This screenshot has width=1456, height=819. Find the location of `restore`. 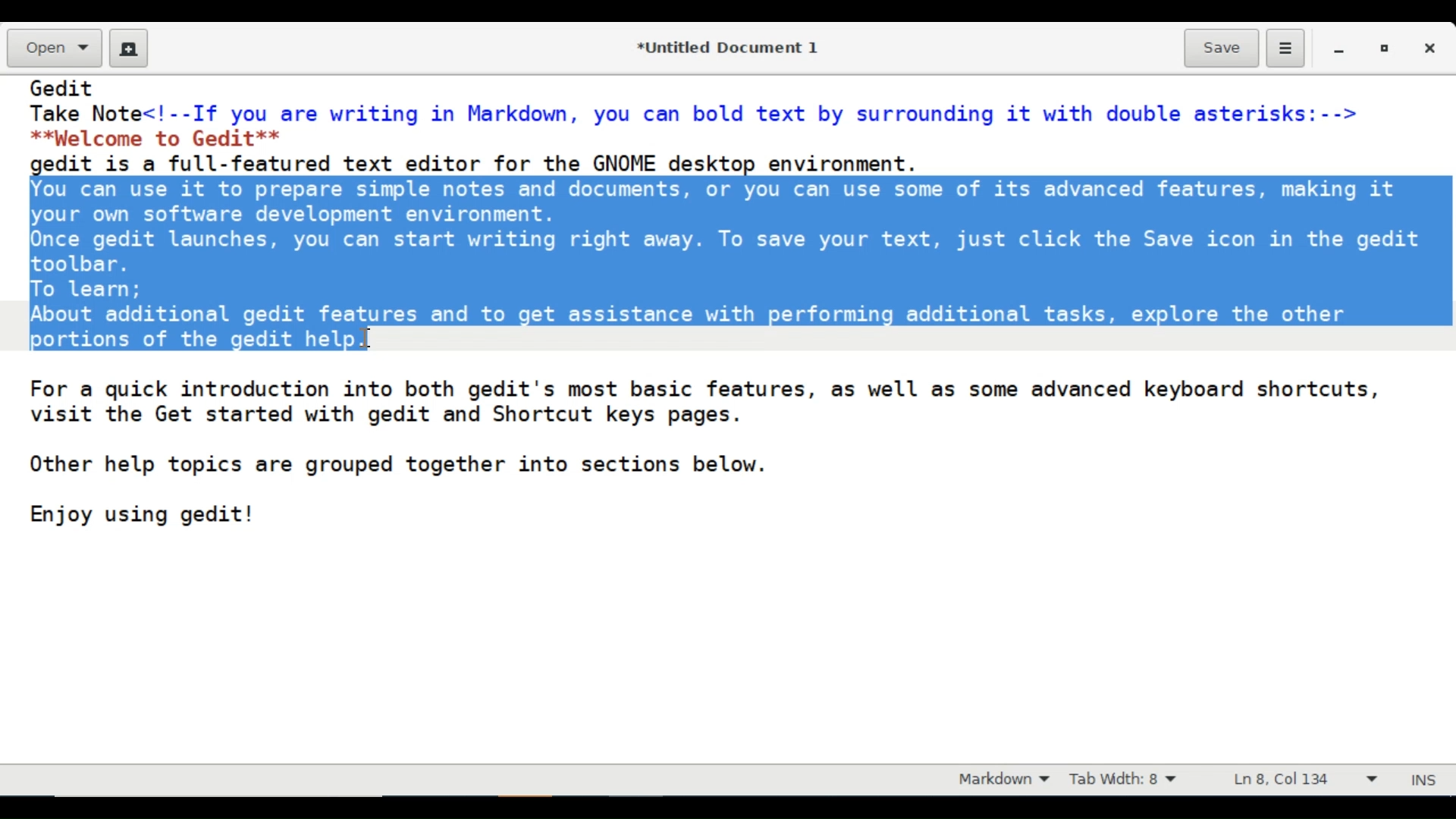

restore is located at coordinates (1382, 48).